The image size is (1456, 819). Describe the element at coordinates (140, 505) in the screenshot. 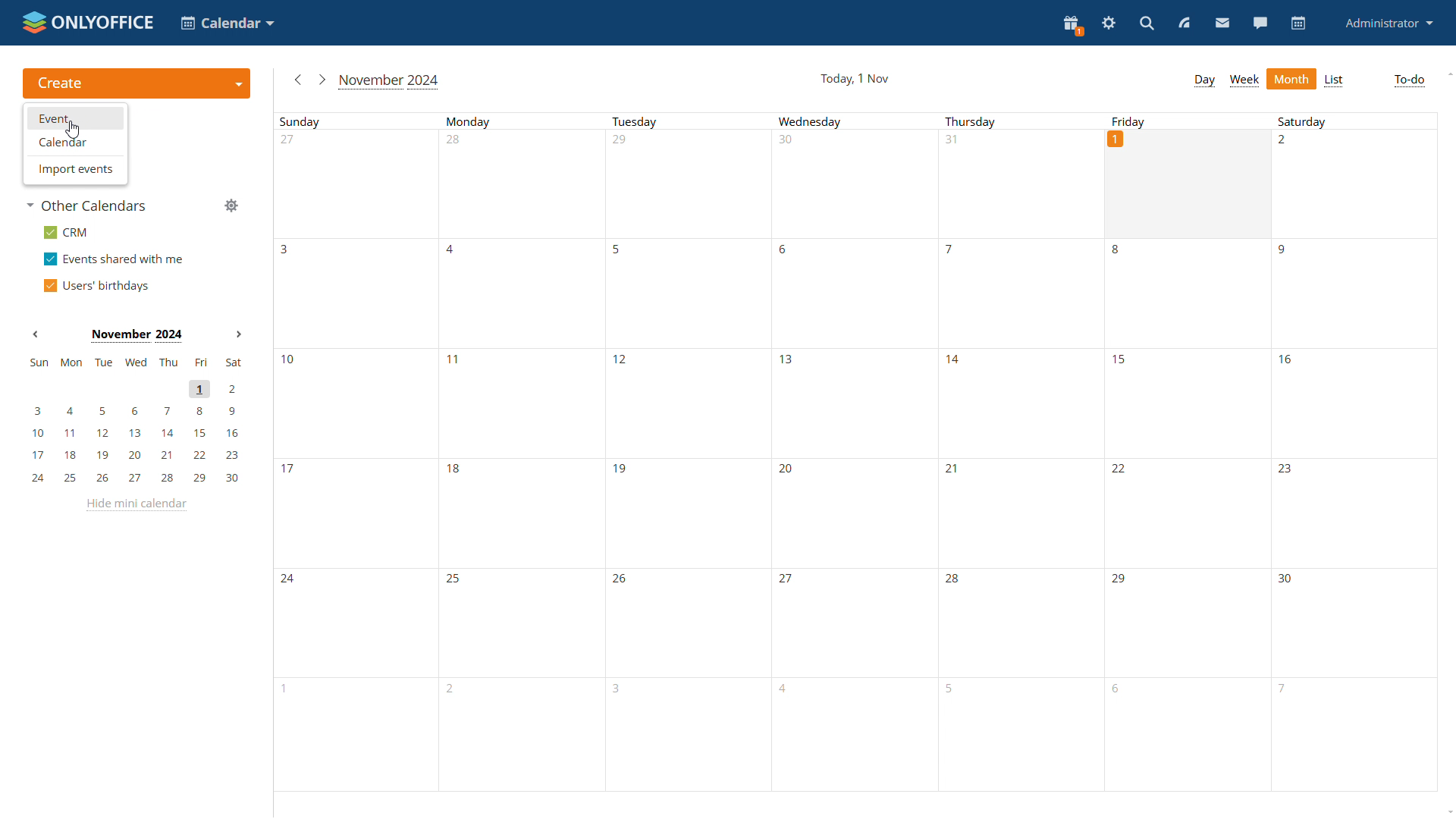

I see `hide mini calendar` at that location.